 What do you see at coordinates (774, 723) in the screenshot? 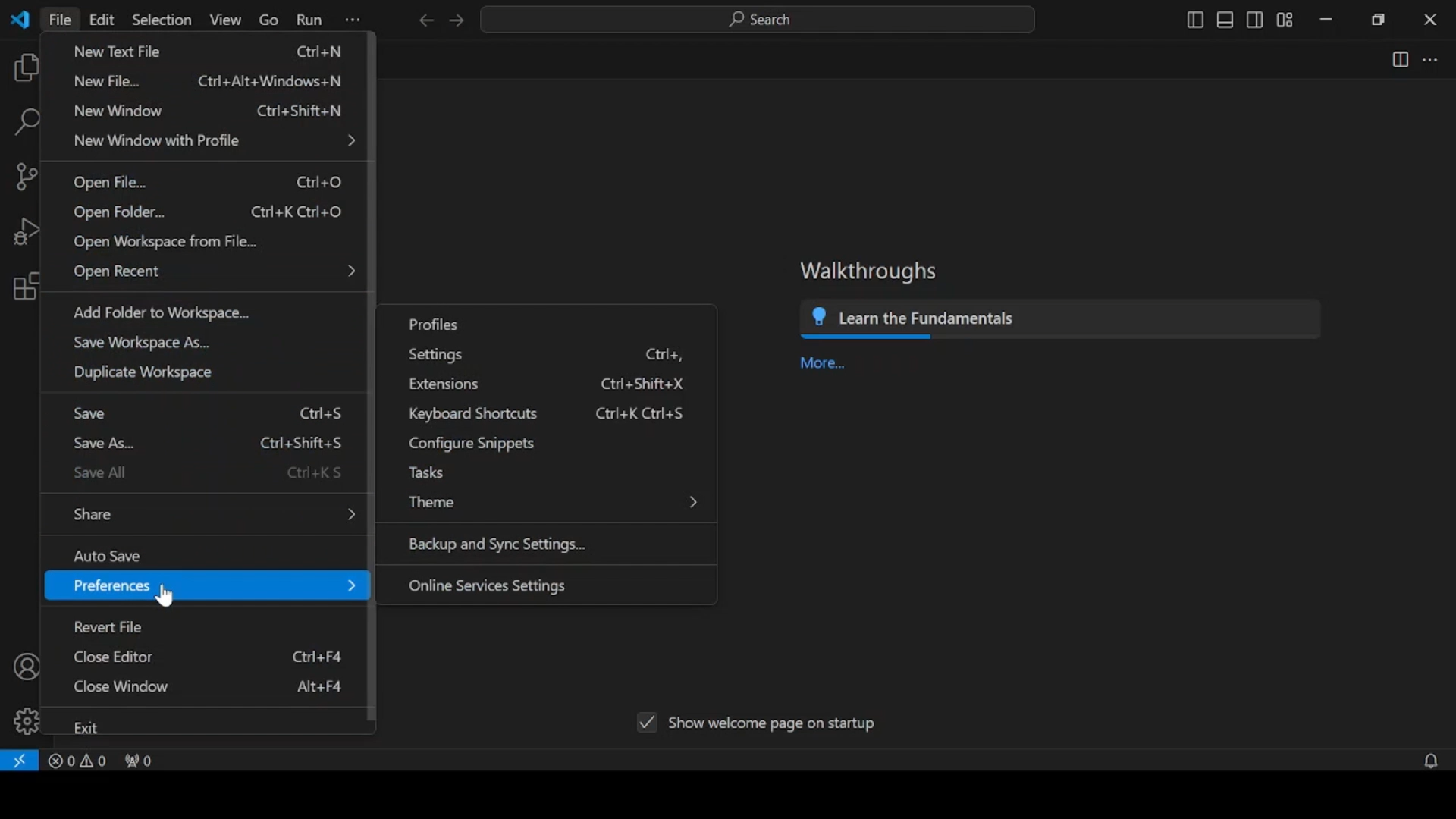
I see `show welcome page on startup` at bounding box center [774, 723].